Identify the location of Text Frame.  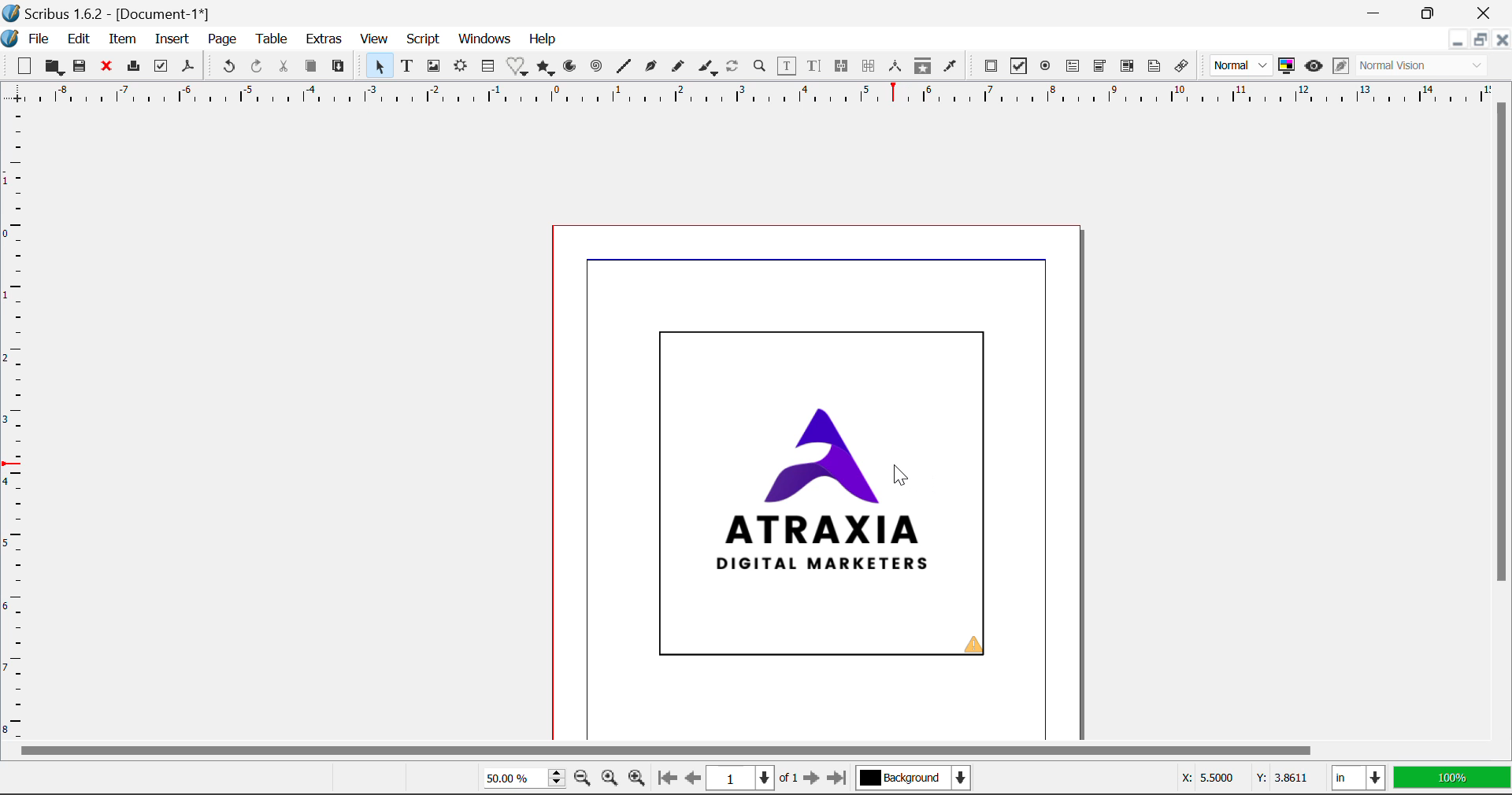
(408, 67).